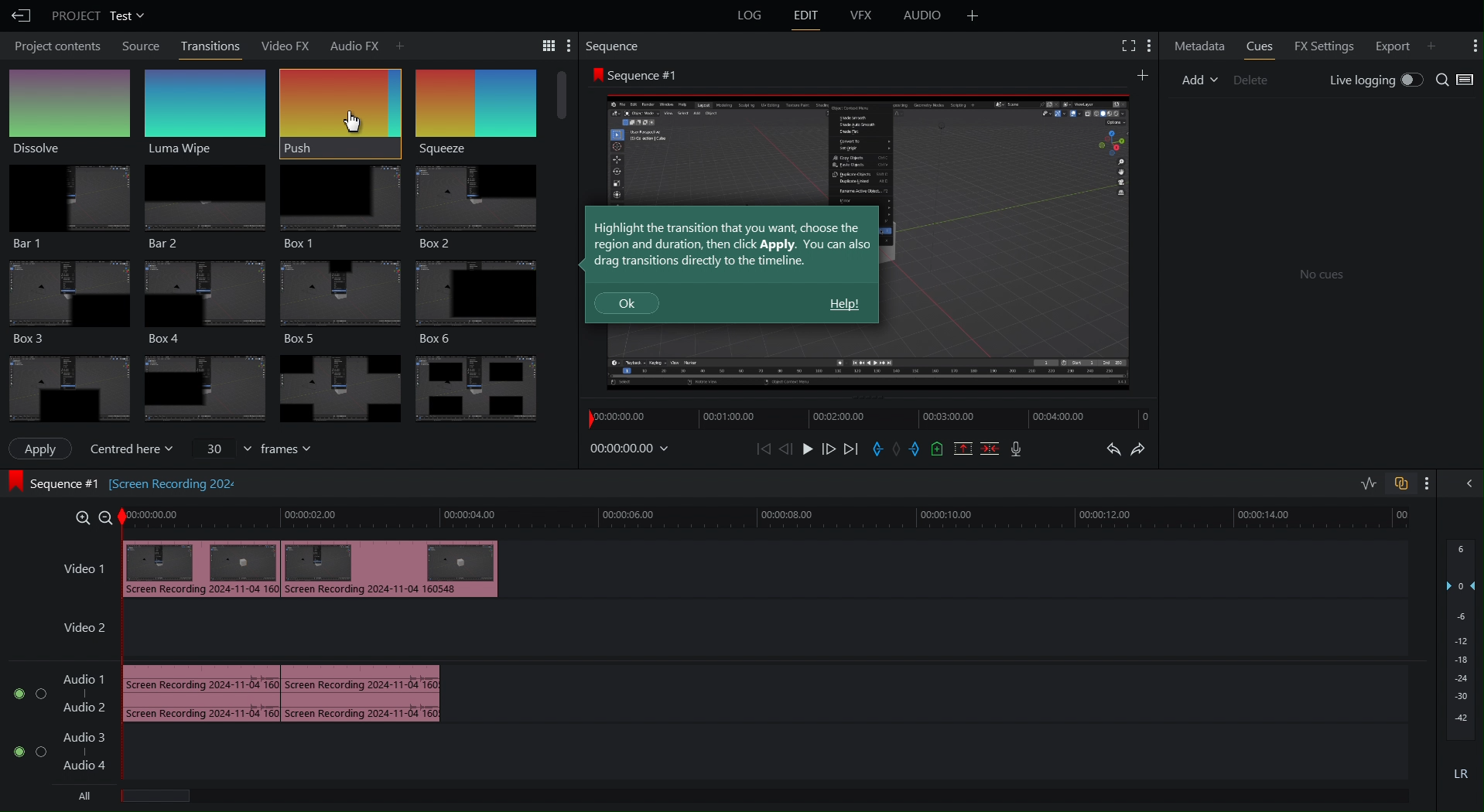 The image size is (1484, 812). What do you see at coordinates (809, 16) in the screenshot?
I see `Edit` at bounding box center [809, 16].